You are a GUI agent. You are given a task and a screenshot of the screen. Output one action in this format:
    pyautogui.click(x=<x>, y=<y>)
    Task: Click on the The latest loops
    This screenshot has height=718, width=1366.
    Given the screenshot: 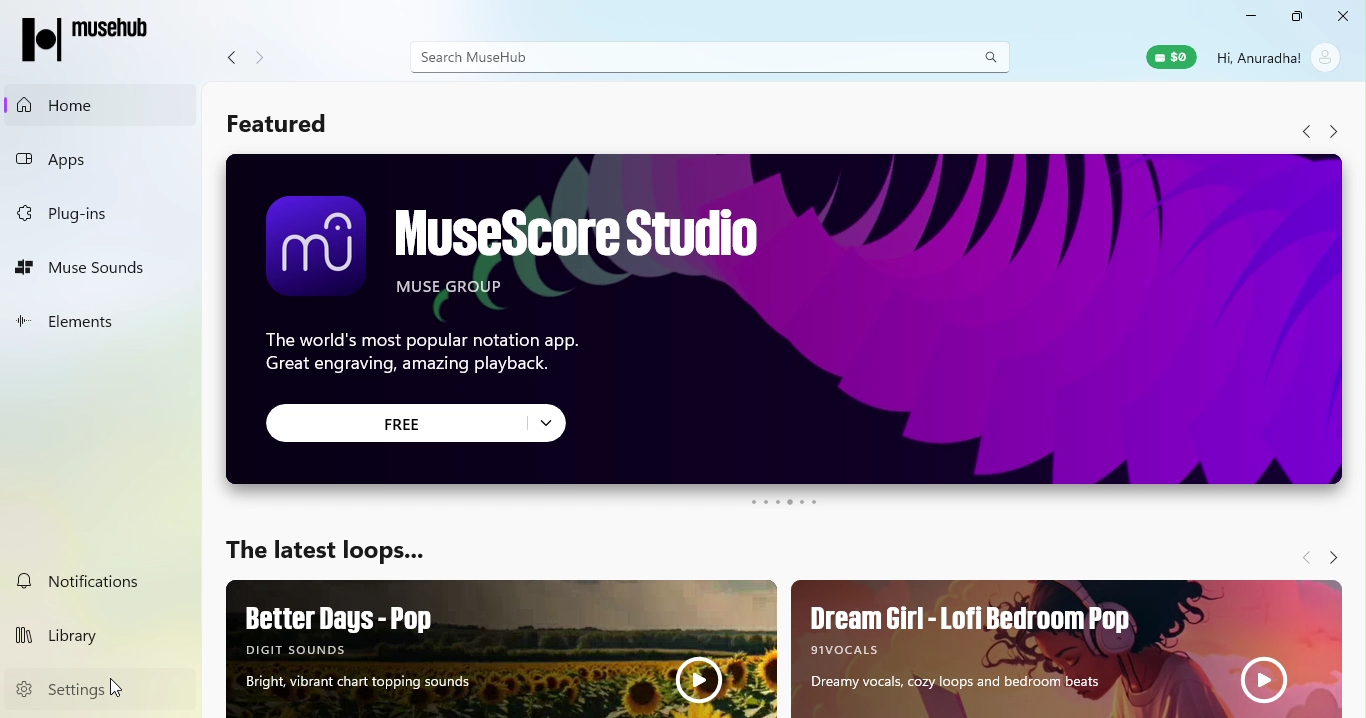 What is the action you would take?
    pyautogui.click(x=331, y=548)
    